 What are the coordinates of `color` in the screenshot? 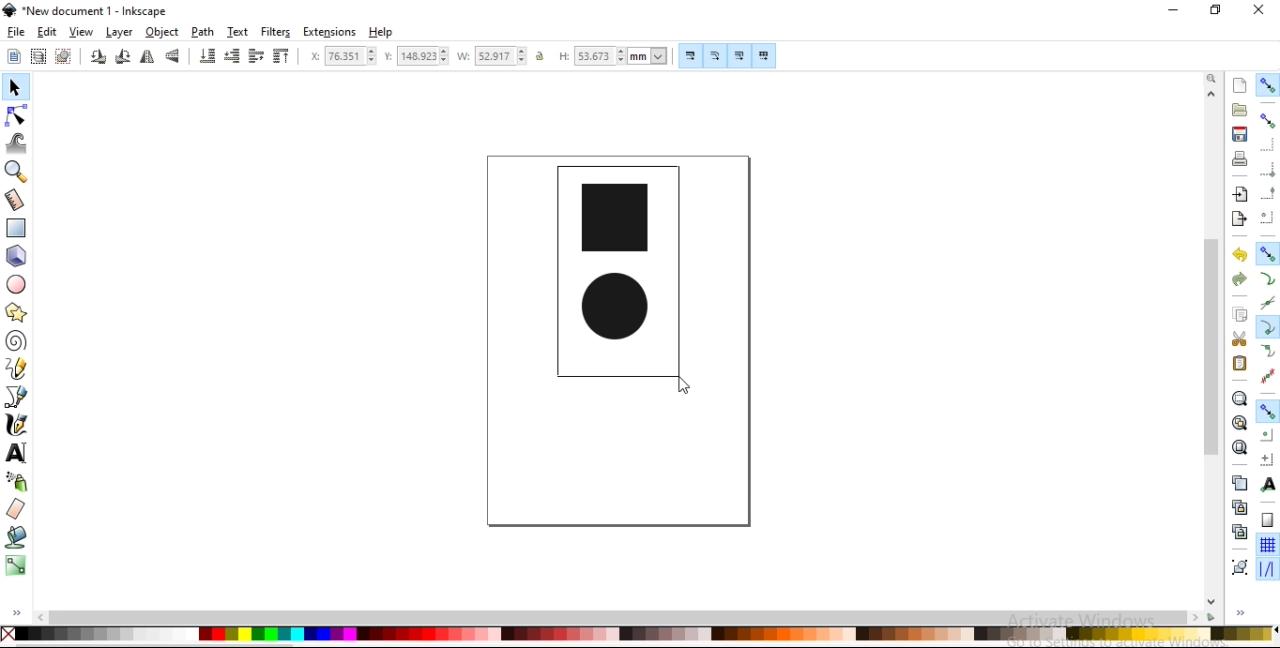 It's located at (639, 634).